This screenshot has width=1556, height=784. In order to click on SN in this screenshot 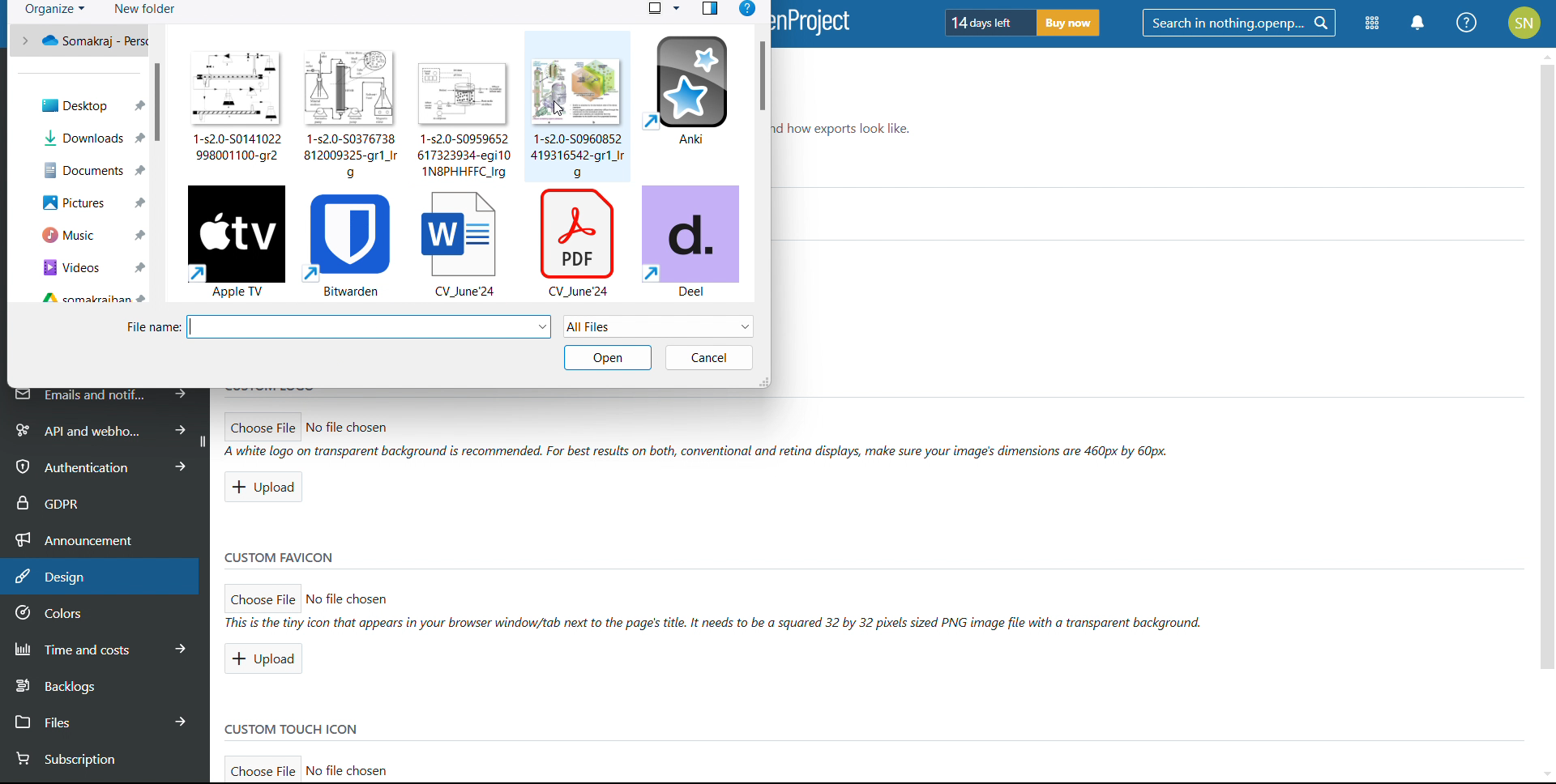, I will do `click(1527, 21)`.